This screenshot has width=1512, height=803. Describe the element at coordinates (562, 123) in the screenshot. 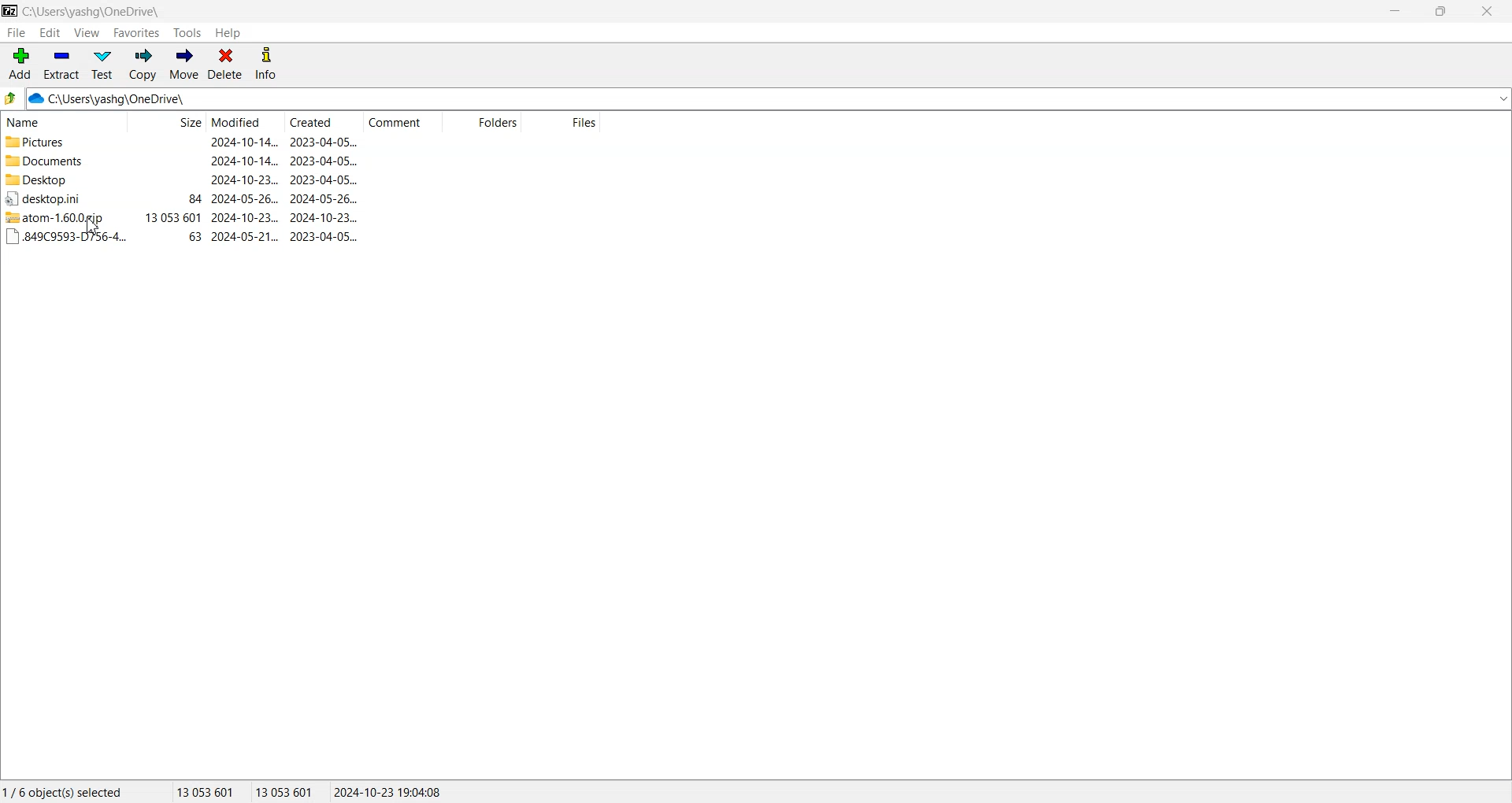

I see `Files` at that location.